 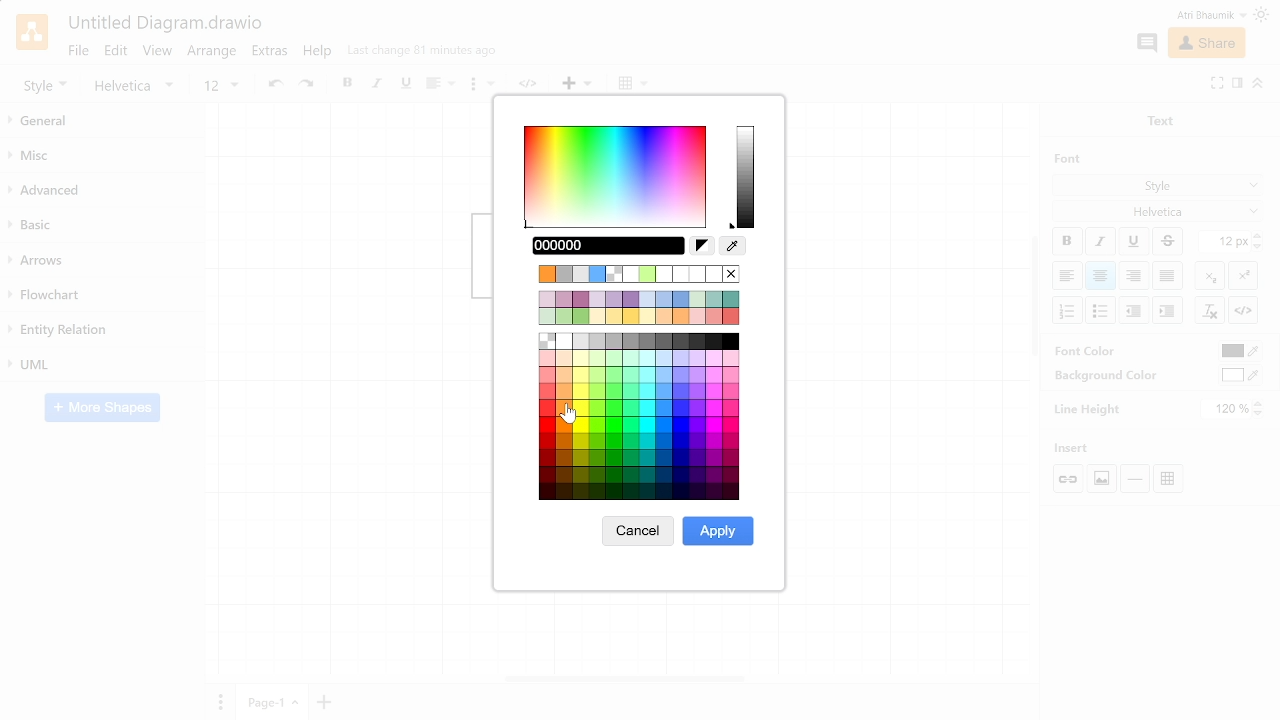 What do you see at coordinates (319, 54) in the screenshot?
I see `Help` at bounding box center [319, 54].